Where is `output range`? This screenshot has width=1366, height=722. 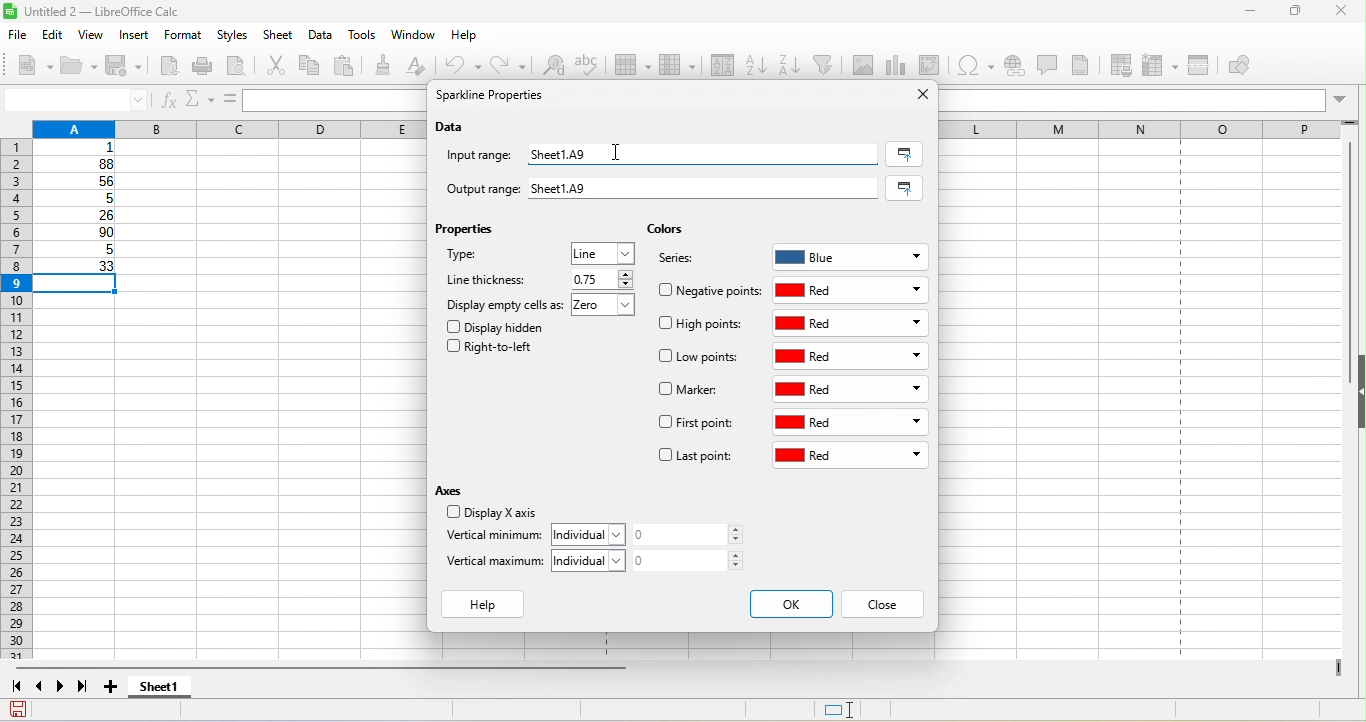 output range is located at coordinates (474, 186).